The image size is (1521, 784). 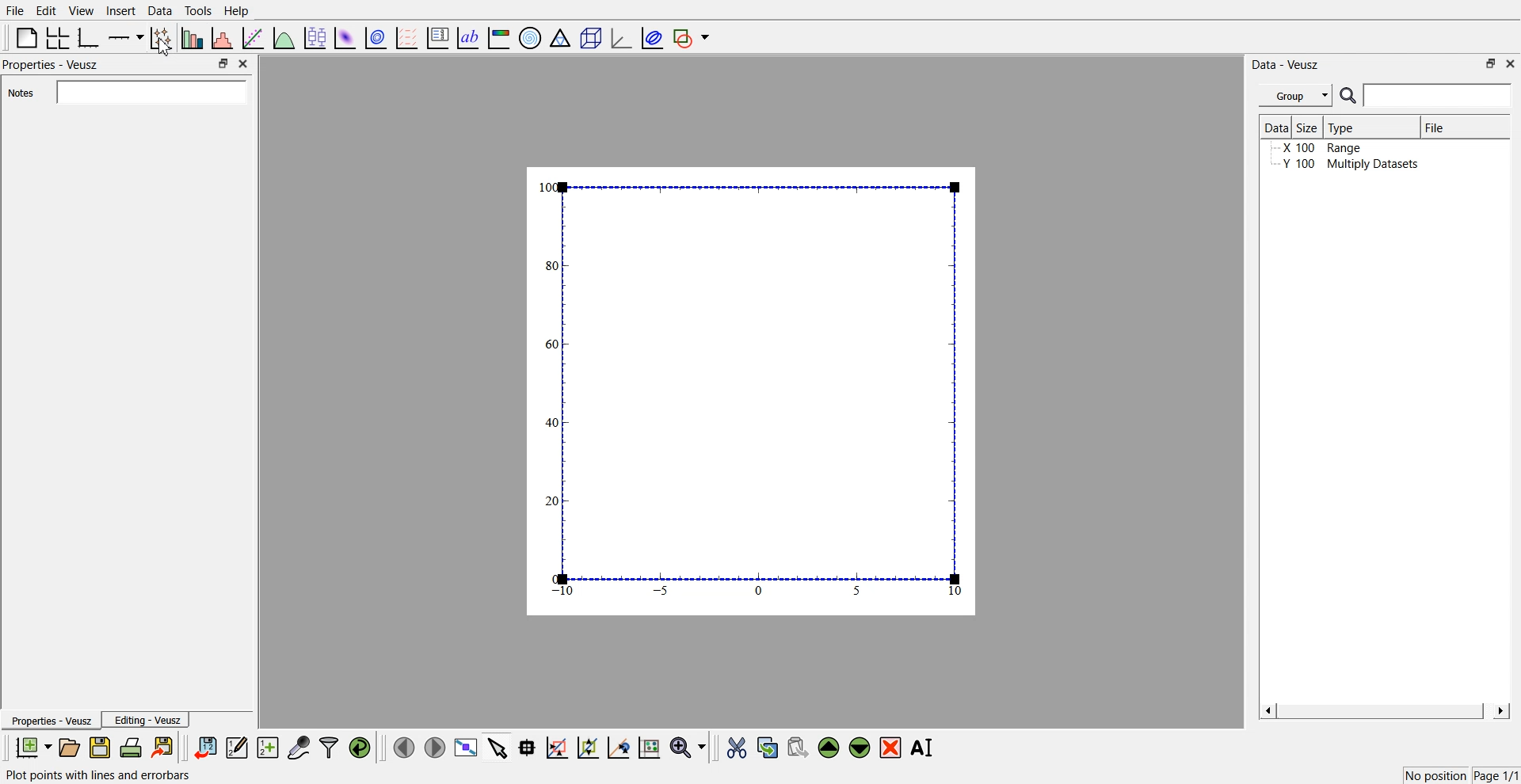 I want to click on base graphs, so click(x=90, y=37).